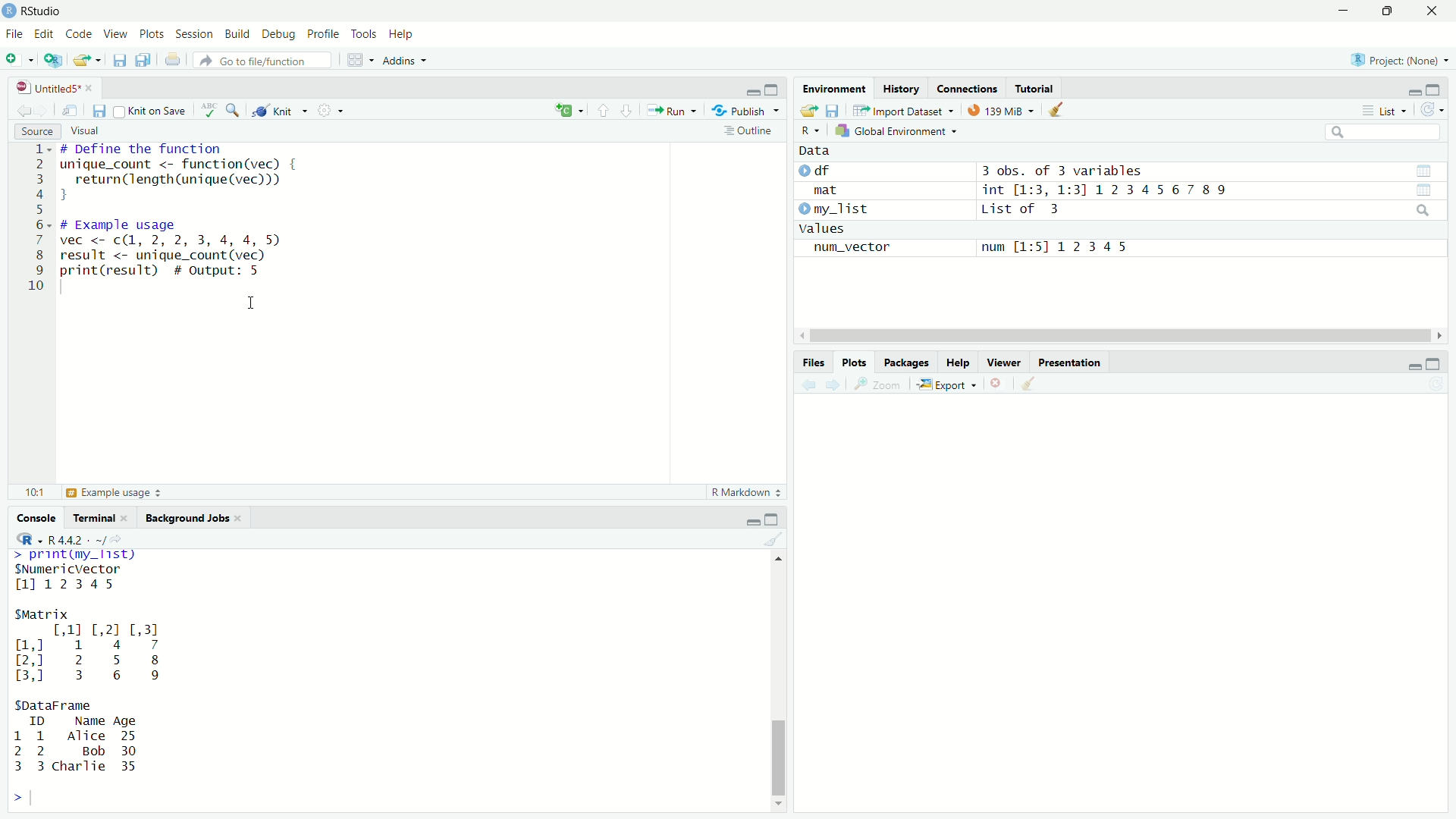  What do you see at coordinates (42, 110) in the screenshot?
I see `forward` at bounding box center [42, 110].